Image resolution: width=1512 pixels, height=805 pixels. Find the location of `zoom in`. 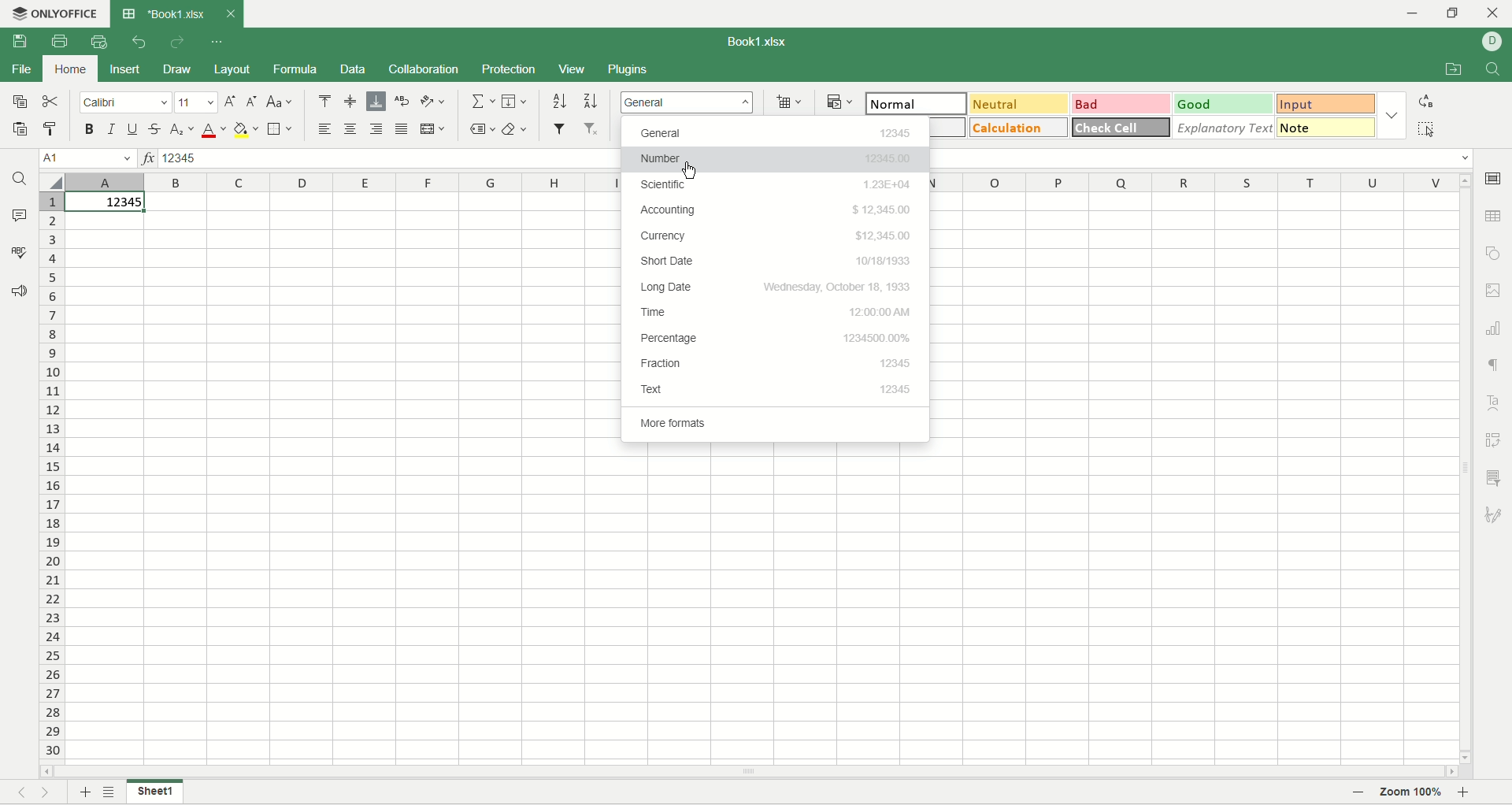

zoom in is located at coordinates (1463, 793).